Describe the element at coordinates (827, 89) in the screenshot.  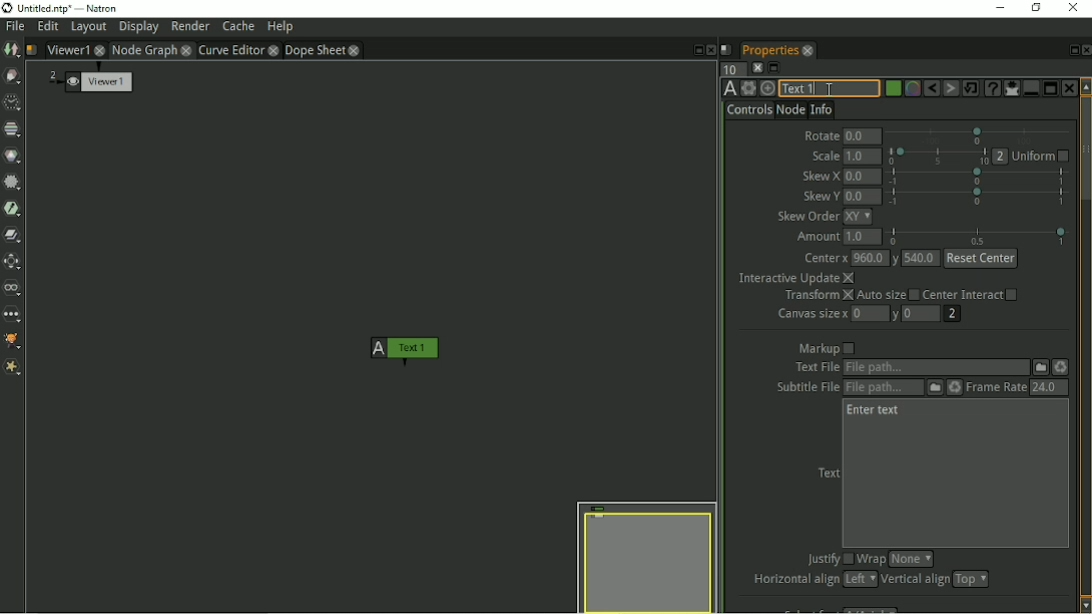
I see `cursor` at that location.